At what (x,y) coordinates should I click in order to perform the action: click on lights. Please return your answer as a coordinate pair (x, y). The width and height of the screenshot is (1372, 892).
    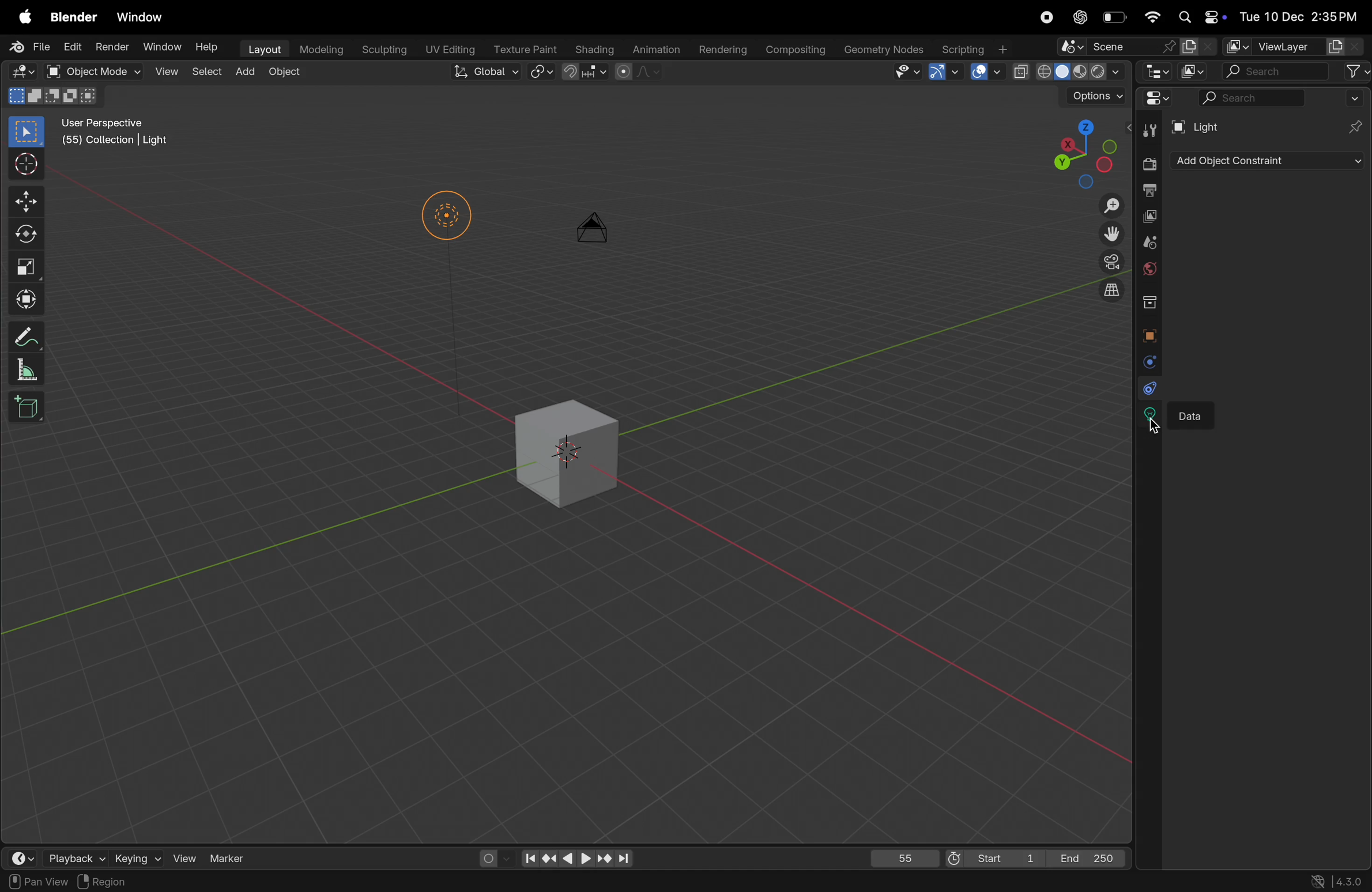
    Looking at the image, I should click on (1148, 415).